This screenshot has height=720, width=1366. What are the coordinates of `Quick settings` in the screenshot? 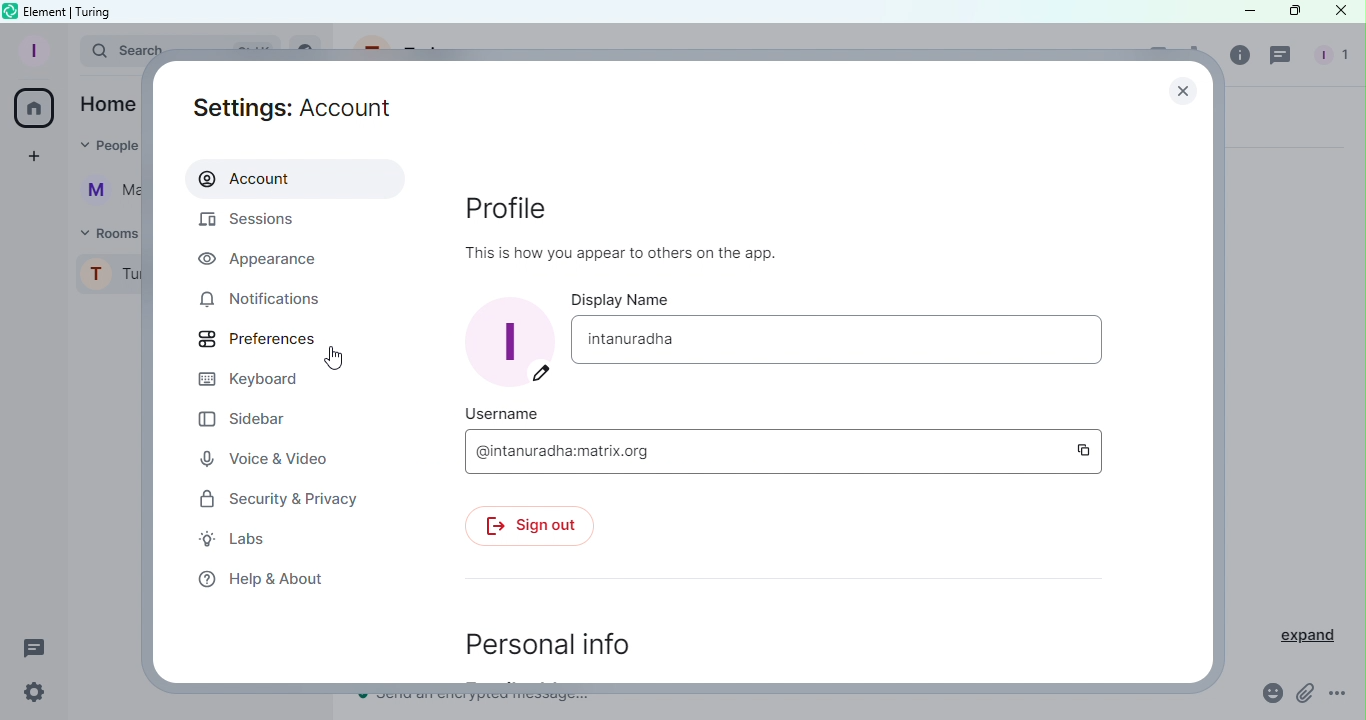 It's located at (35, 696).